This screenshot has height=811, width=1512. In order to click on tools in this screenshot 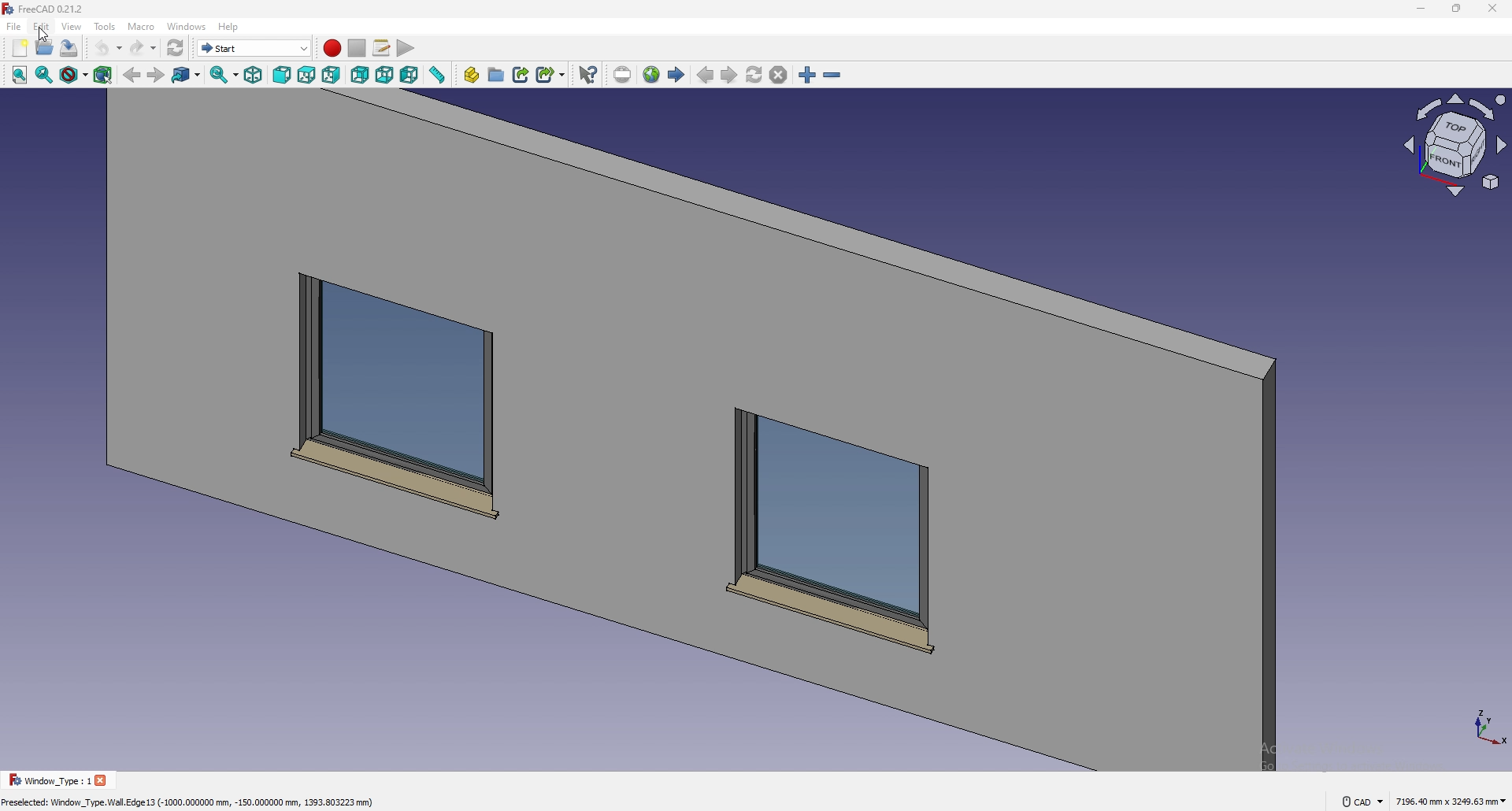, I will do `click(105, 26)`.